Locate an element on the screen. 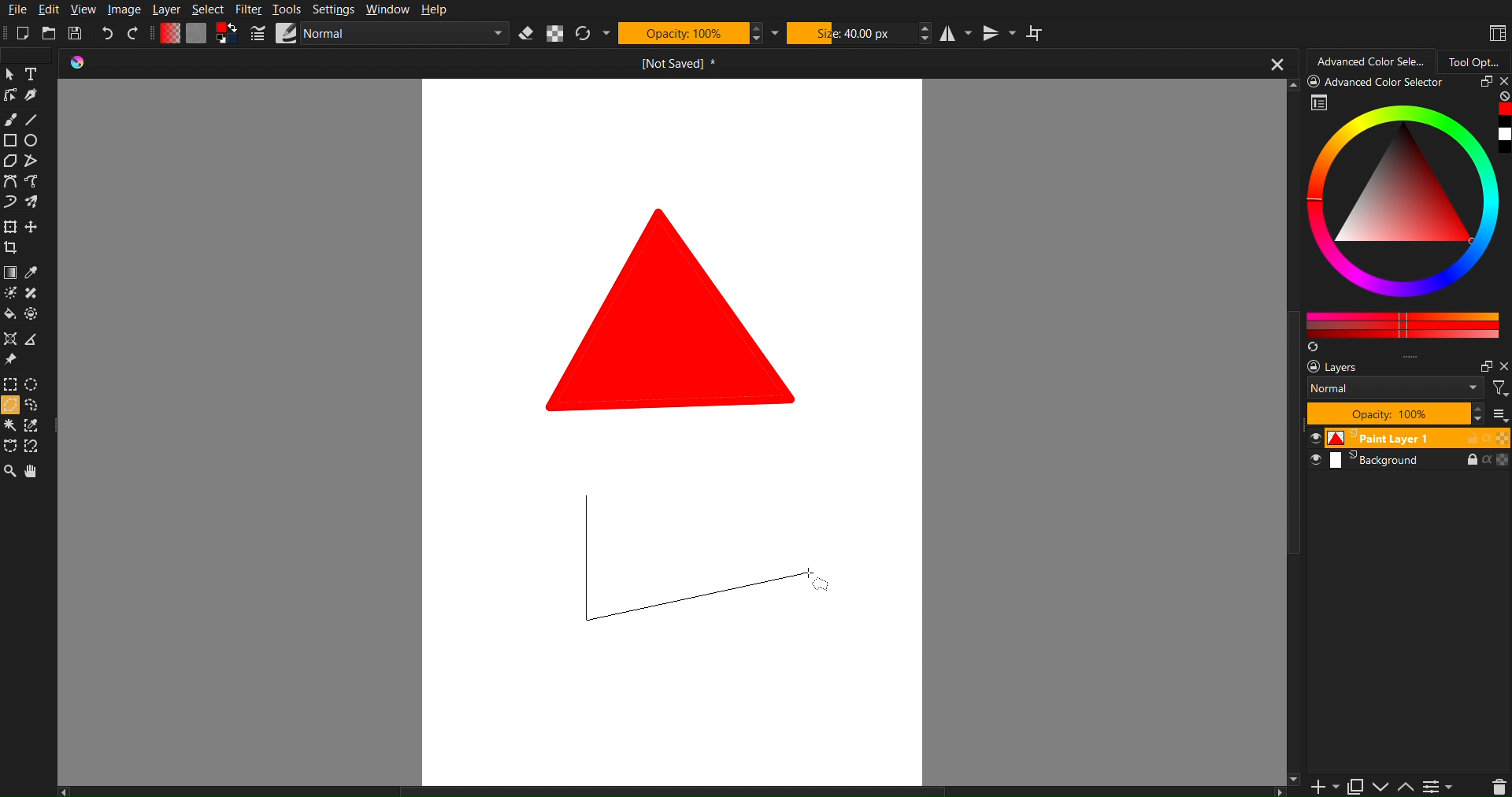 The image size is (1512, 797). Pin is located at coordinates (9, 361).